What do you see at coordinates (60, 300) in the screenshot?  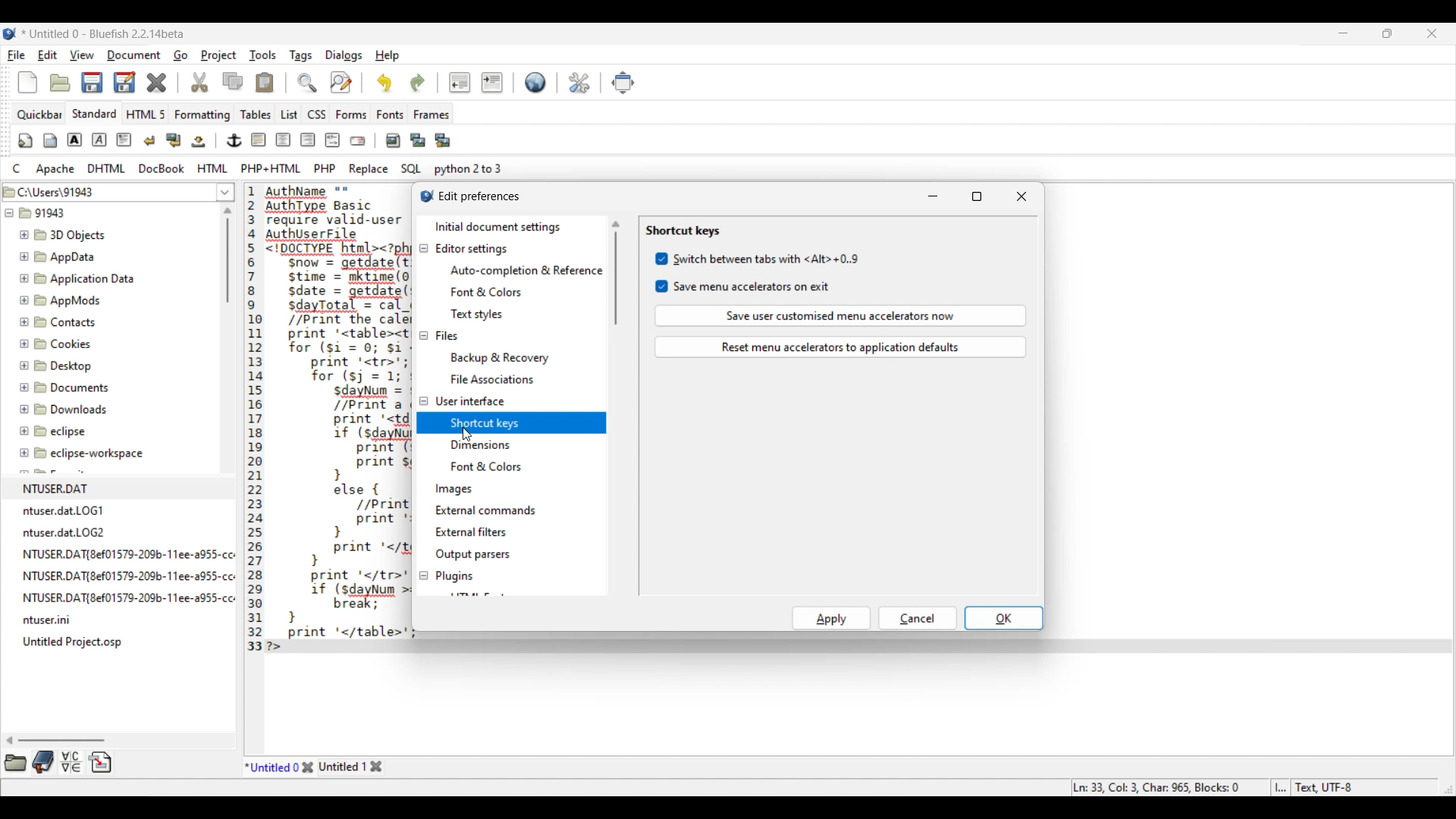 I see `AppMods` at bounding box center [60, 300].